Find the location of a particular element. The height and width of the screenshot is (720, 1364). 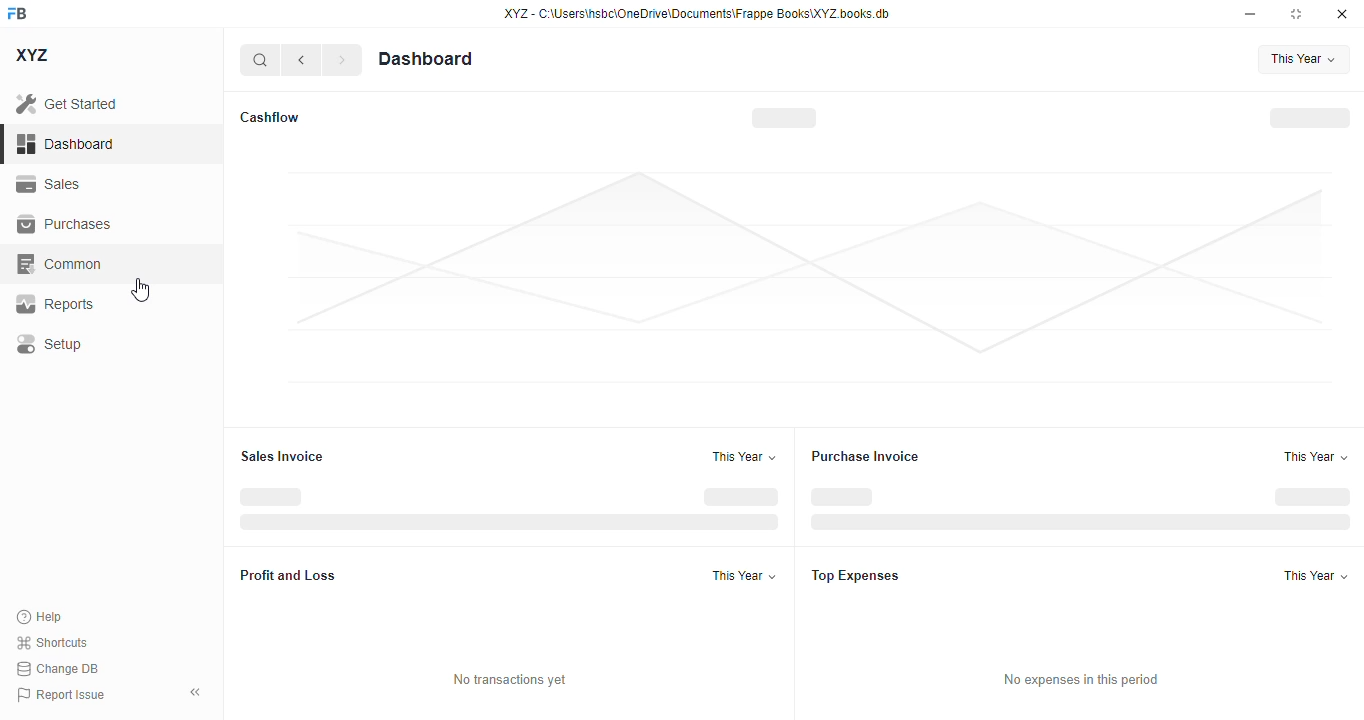

no expenses in this period is located at coordinates (1081, 680).